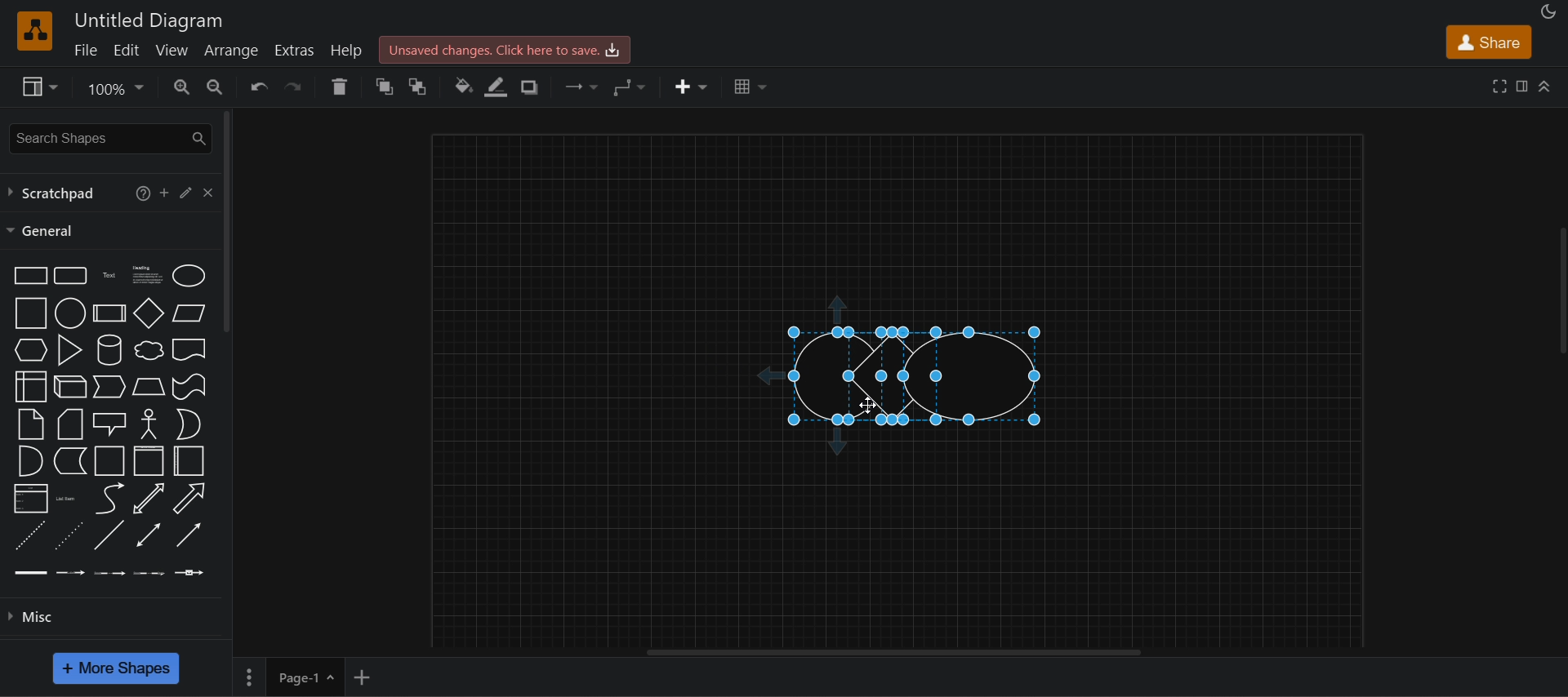 Image resolution: width=1568 pixels, height=697 pixels. I want to click on delete, so click(339, 87).